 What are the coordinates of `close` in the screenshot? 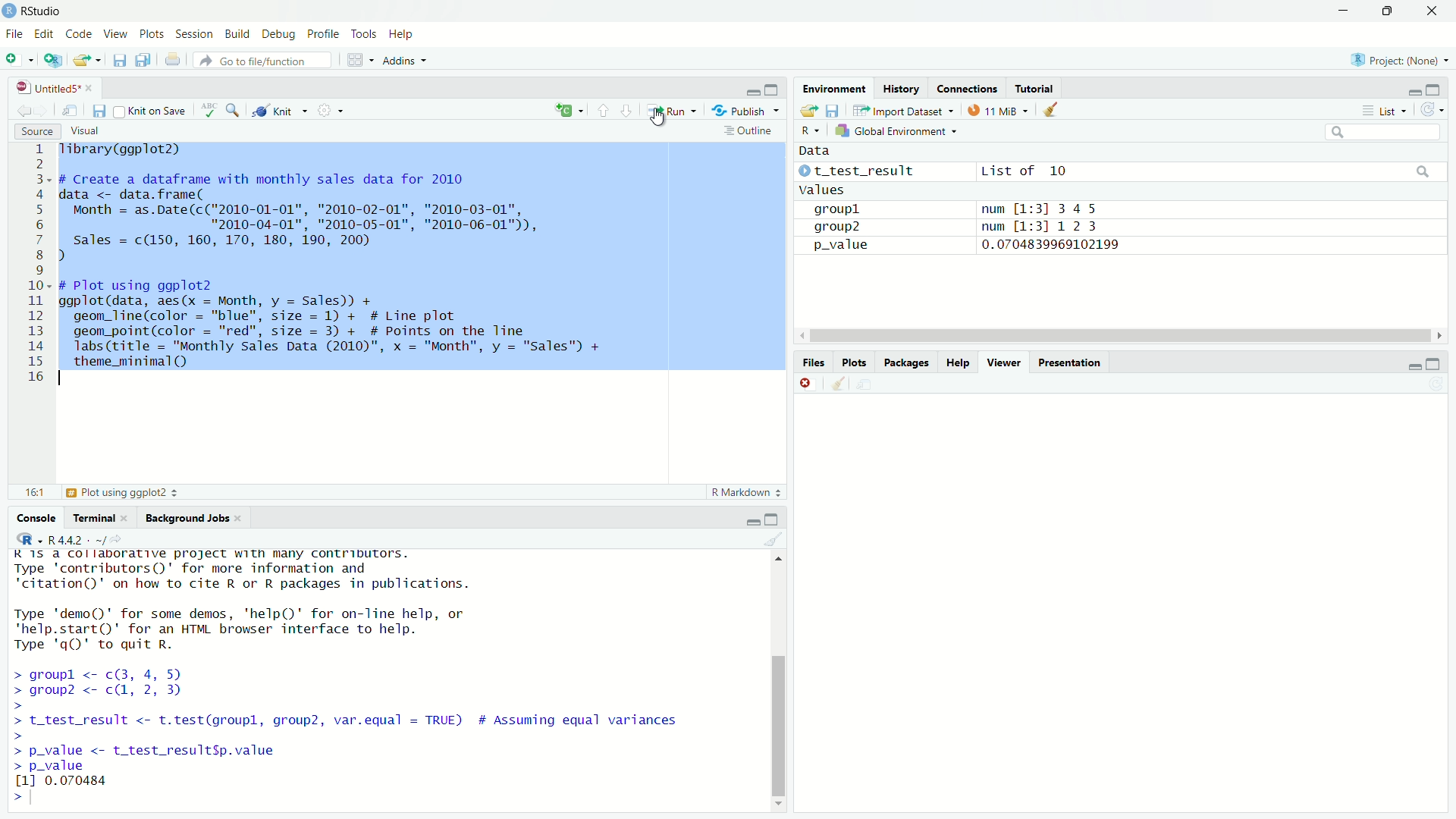 It's located at (806, 382).